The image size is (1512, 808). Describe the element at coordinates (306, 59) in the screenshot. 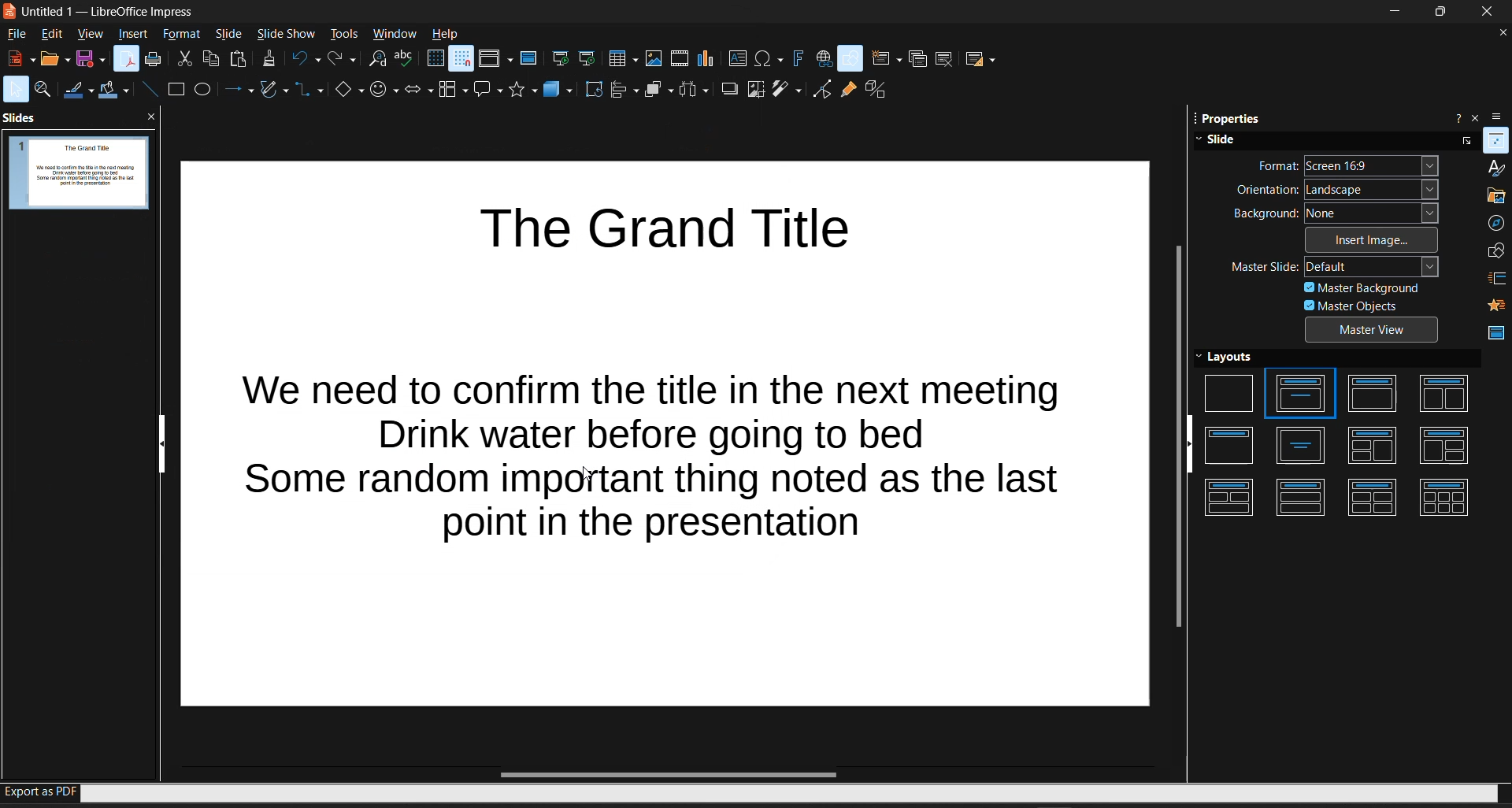

I see `undo` at that location.